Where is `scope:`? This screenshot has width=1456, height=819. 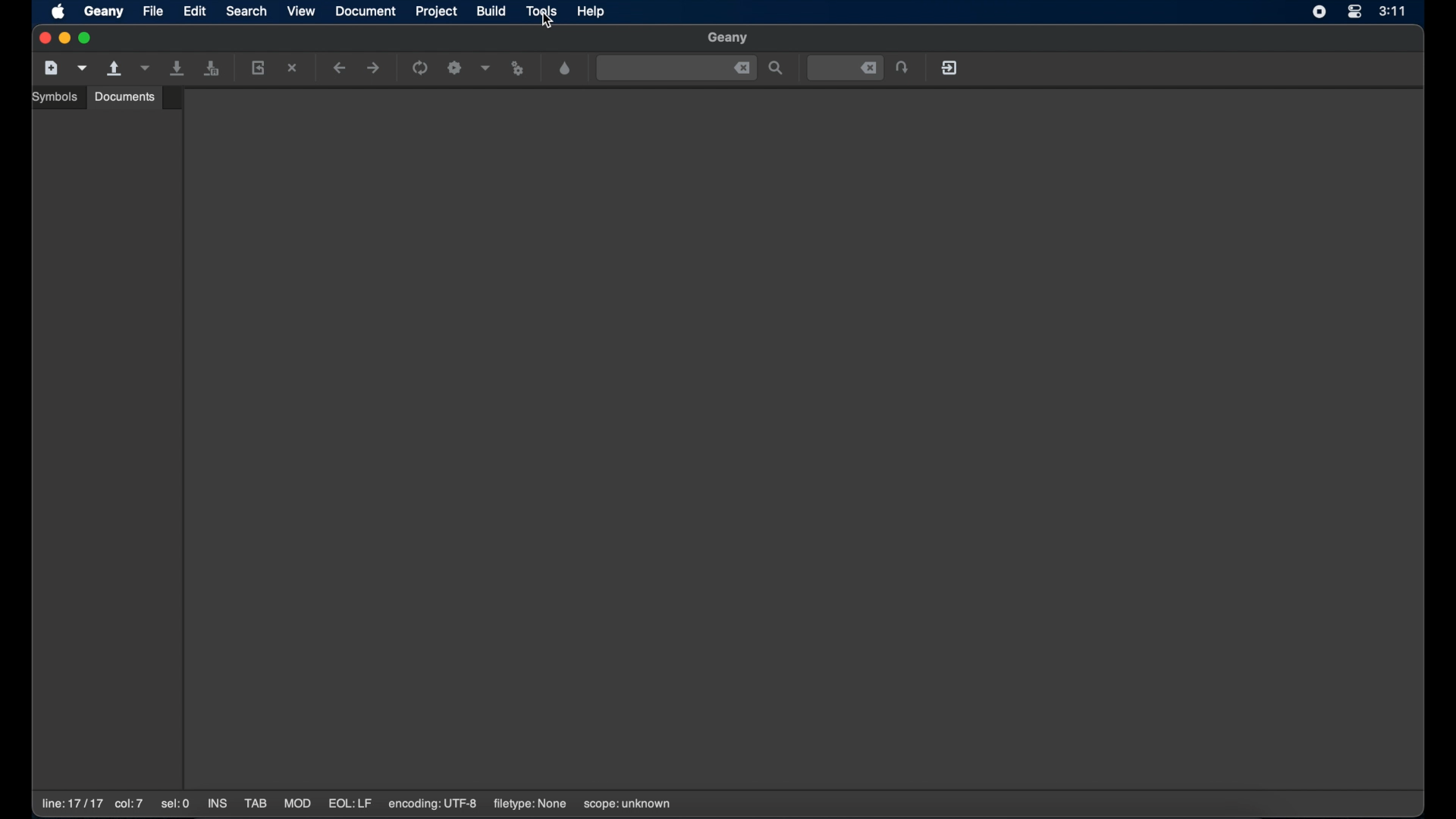 scope: is located at coordinates (627, 805).